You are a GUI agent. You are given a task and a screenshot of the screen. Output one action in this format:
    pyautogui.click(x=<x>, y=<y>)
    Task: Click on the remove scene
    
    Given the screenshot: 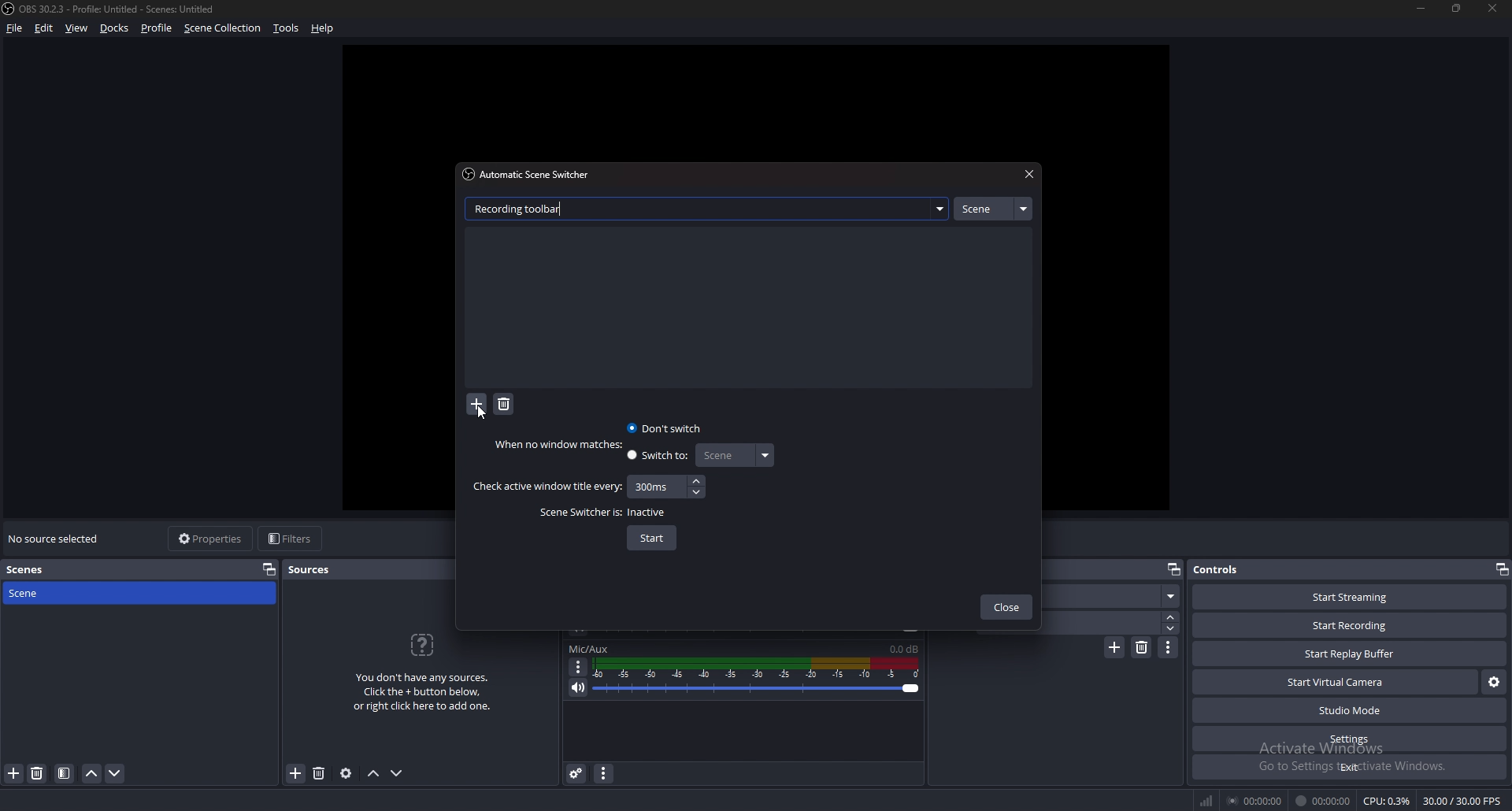 What is the action you would take?
    pyautogui.click(x=37, y=773)
    